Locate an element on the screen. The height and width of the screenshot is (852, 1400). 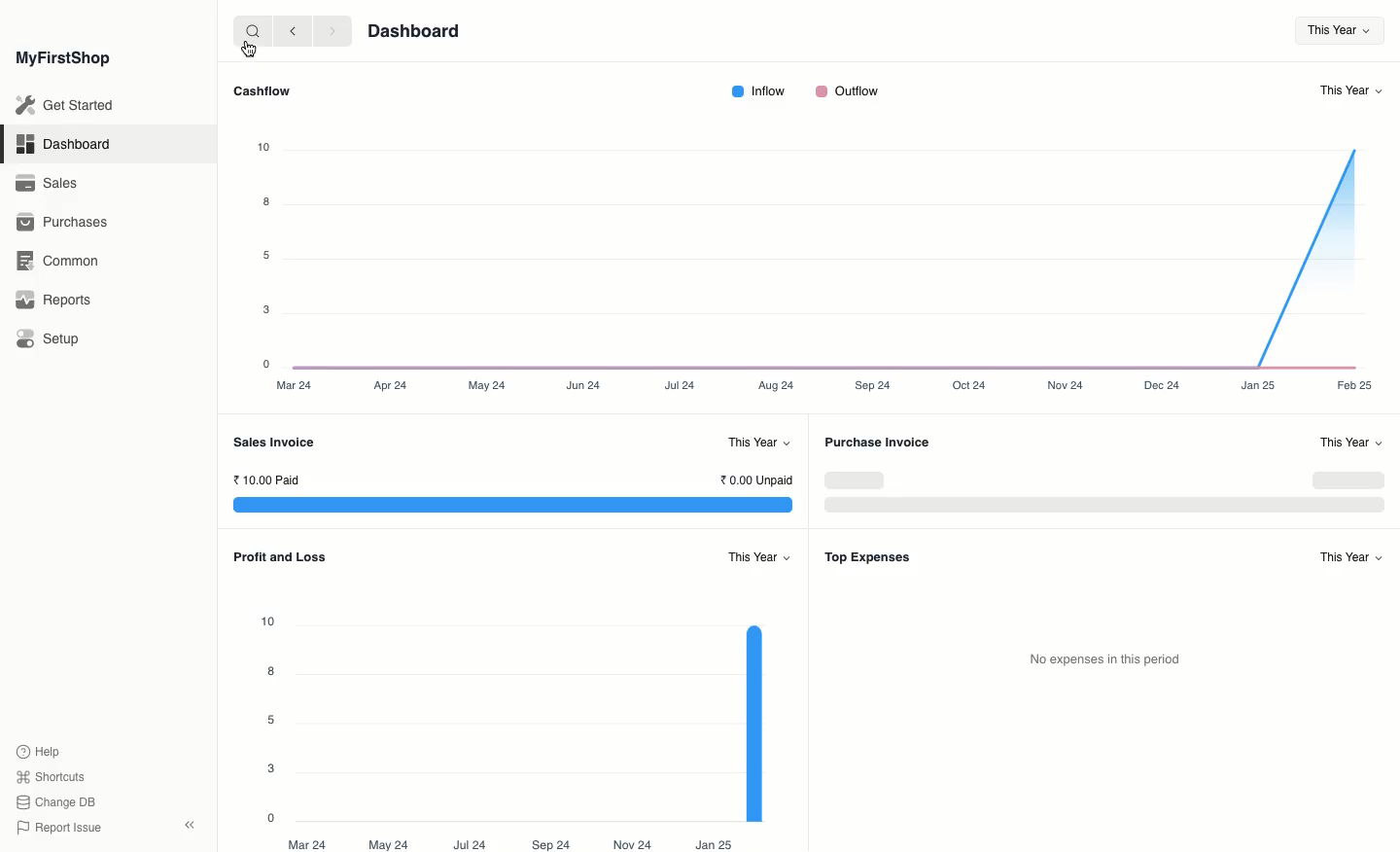
Feb 25 is located at coordinates (1354, 385).